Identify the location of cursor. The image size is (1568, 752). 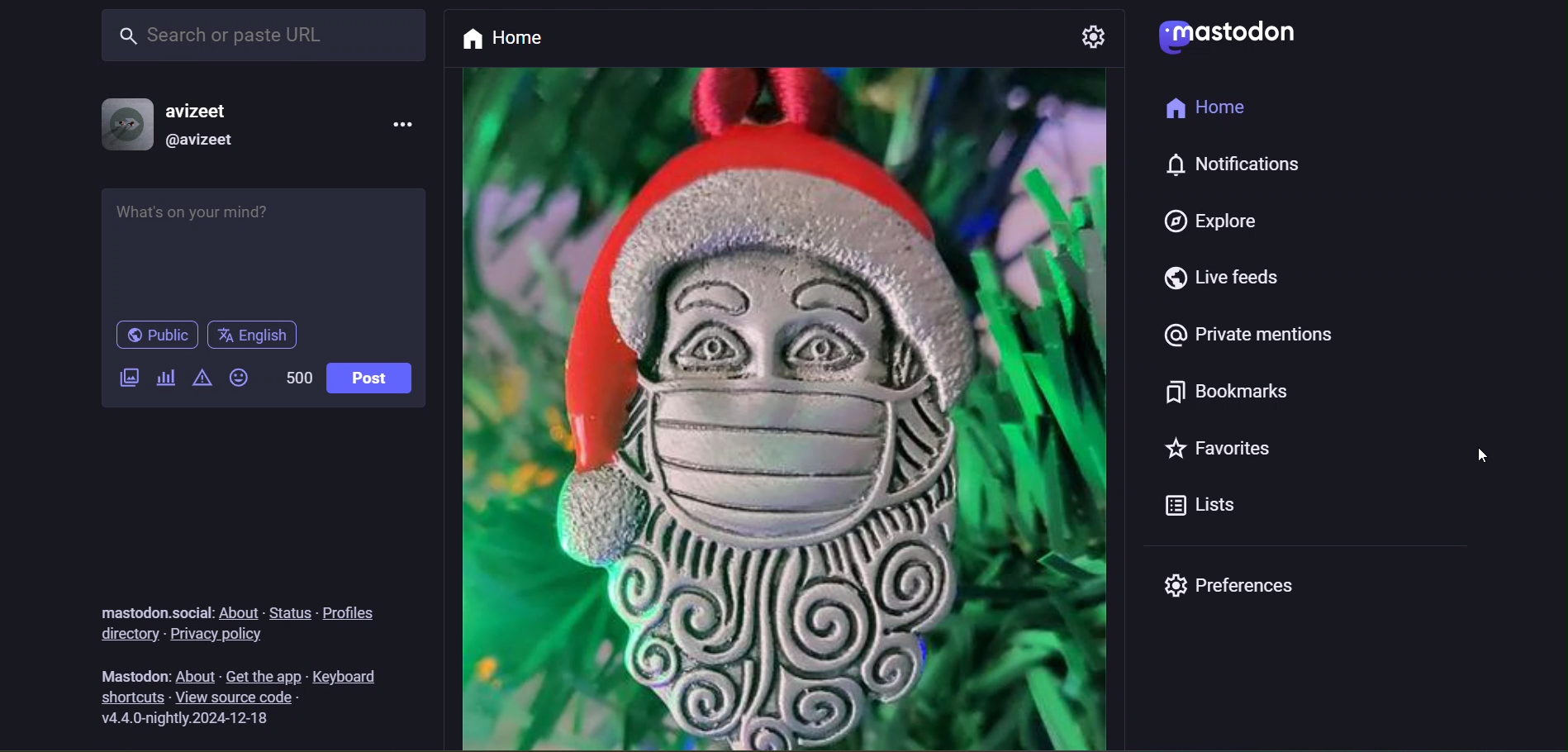
(1479, 452).